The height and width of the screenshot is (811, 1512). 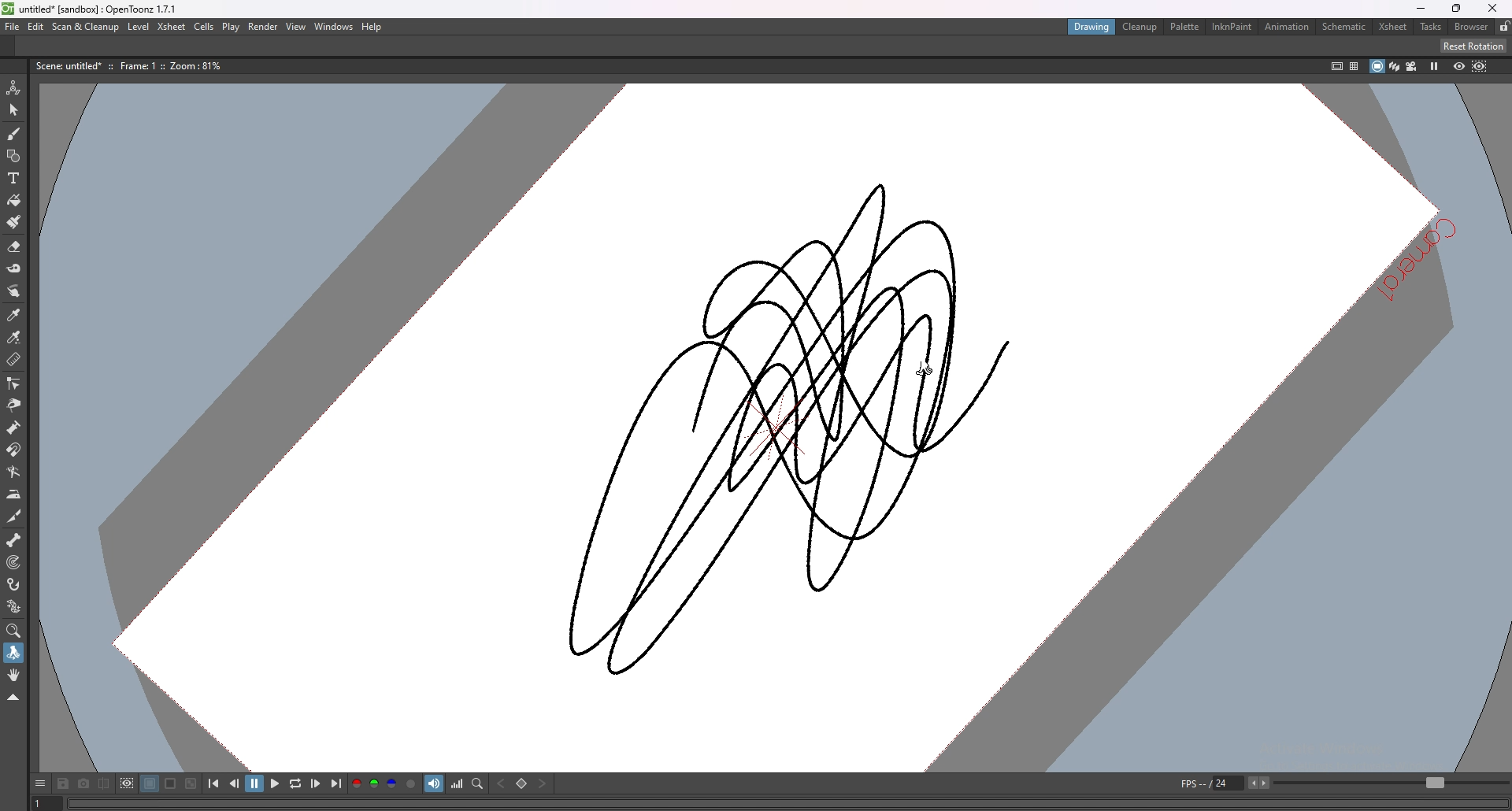 I want to click on view, so click(x=296, y=26).